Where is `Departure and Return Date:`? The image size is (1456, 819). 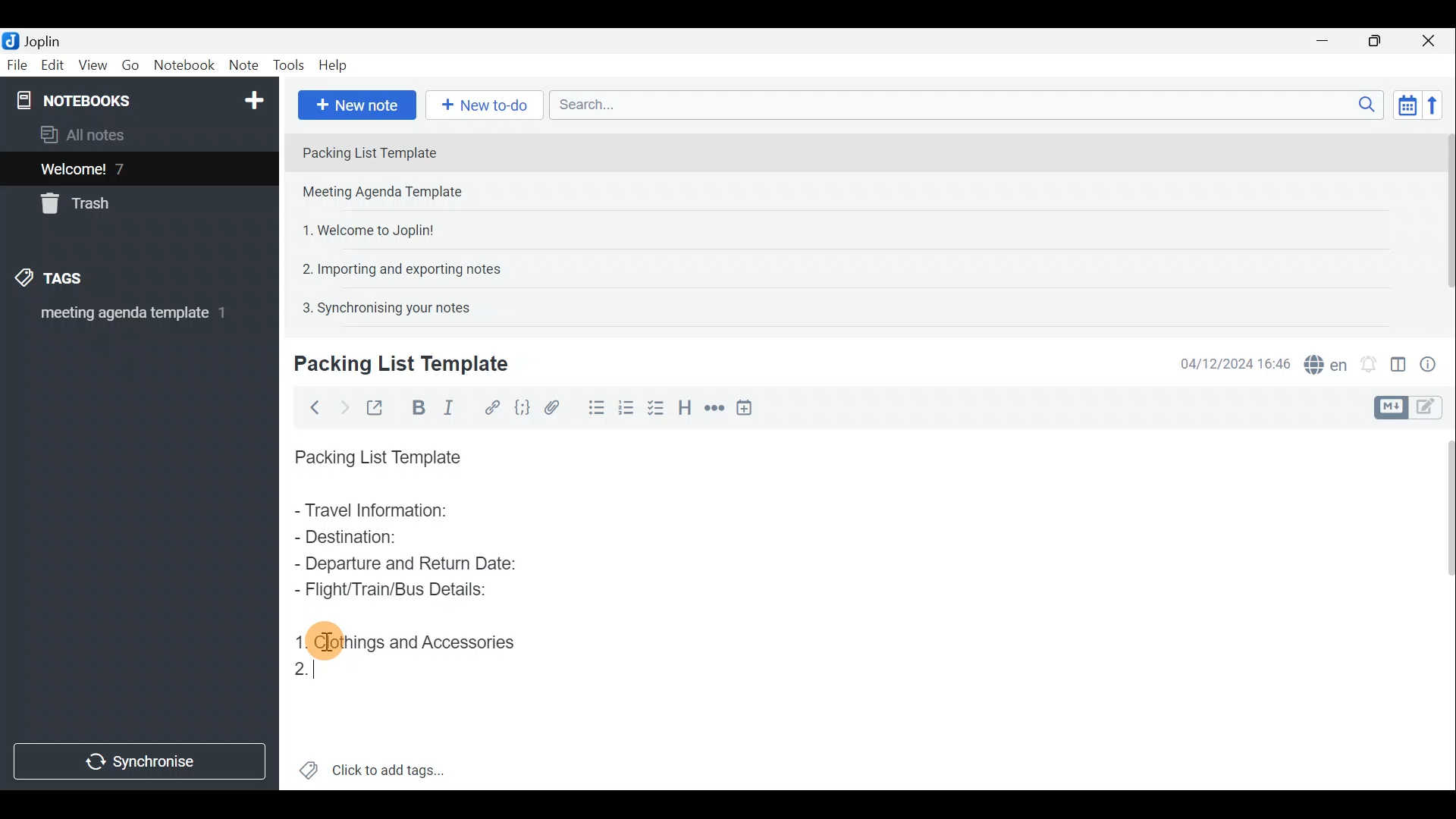
Departure and Return Date: is located at coordinates (406, 563).